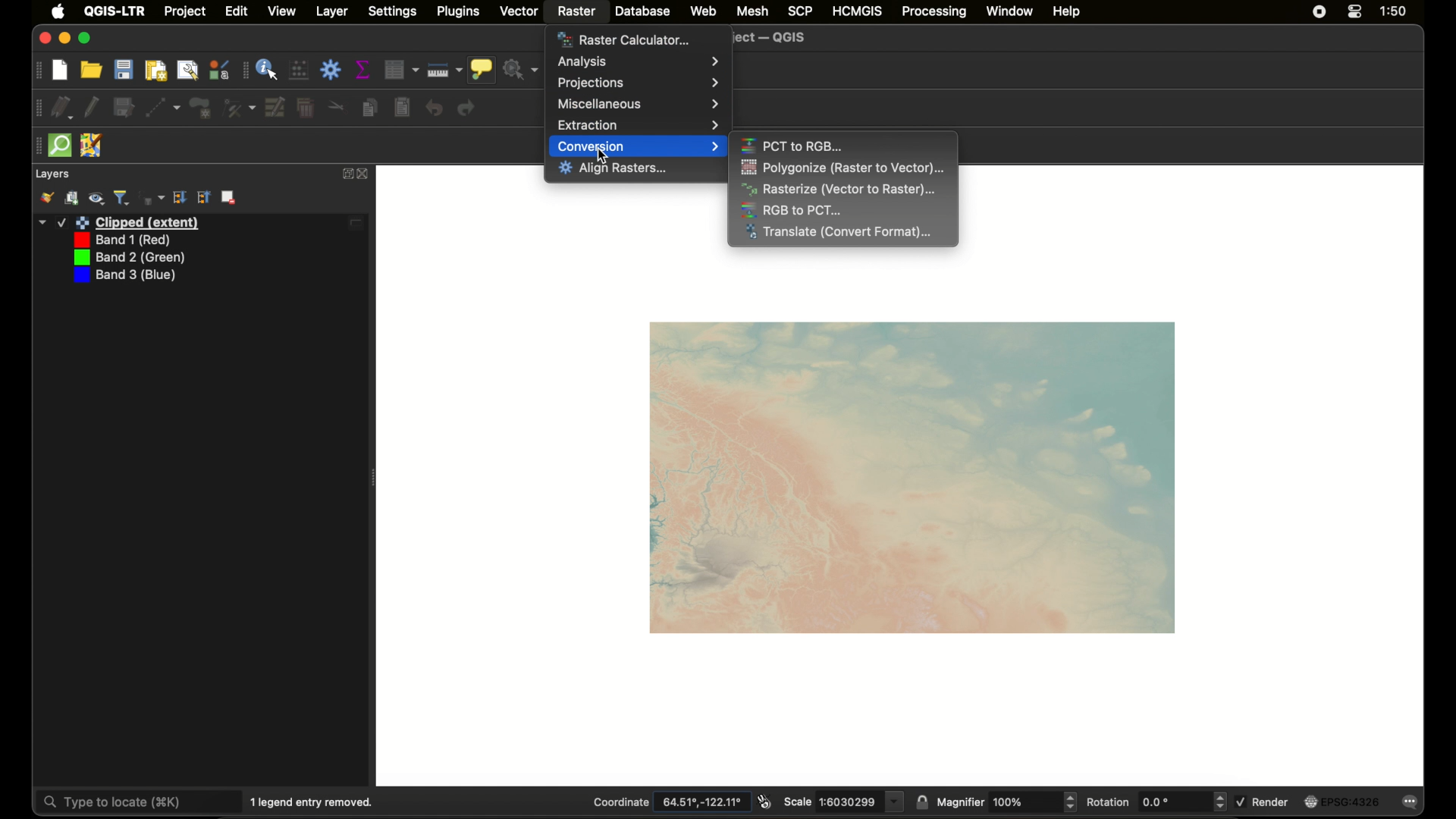 The image size is (1456, 819). I want to click on filter legend by expression, so click(152, 198).